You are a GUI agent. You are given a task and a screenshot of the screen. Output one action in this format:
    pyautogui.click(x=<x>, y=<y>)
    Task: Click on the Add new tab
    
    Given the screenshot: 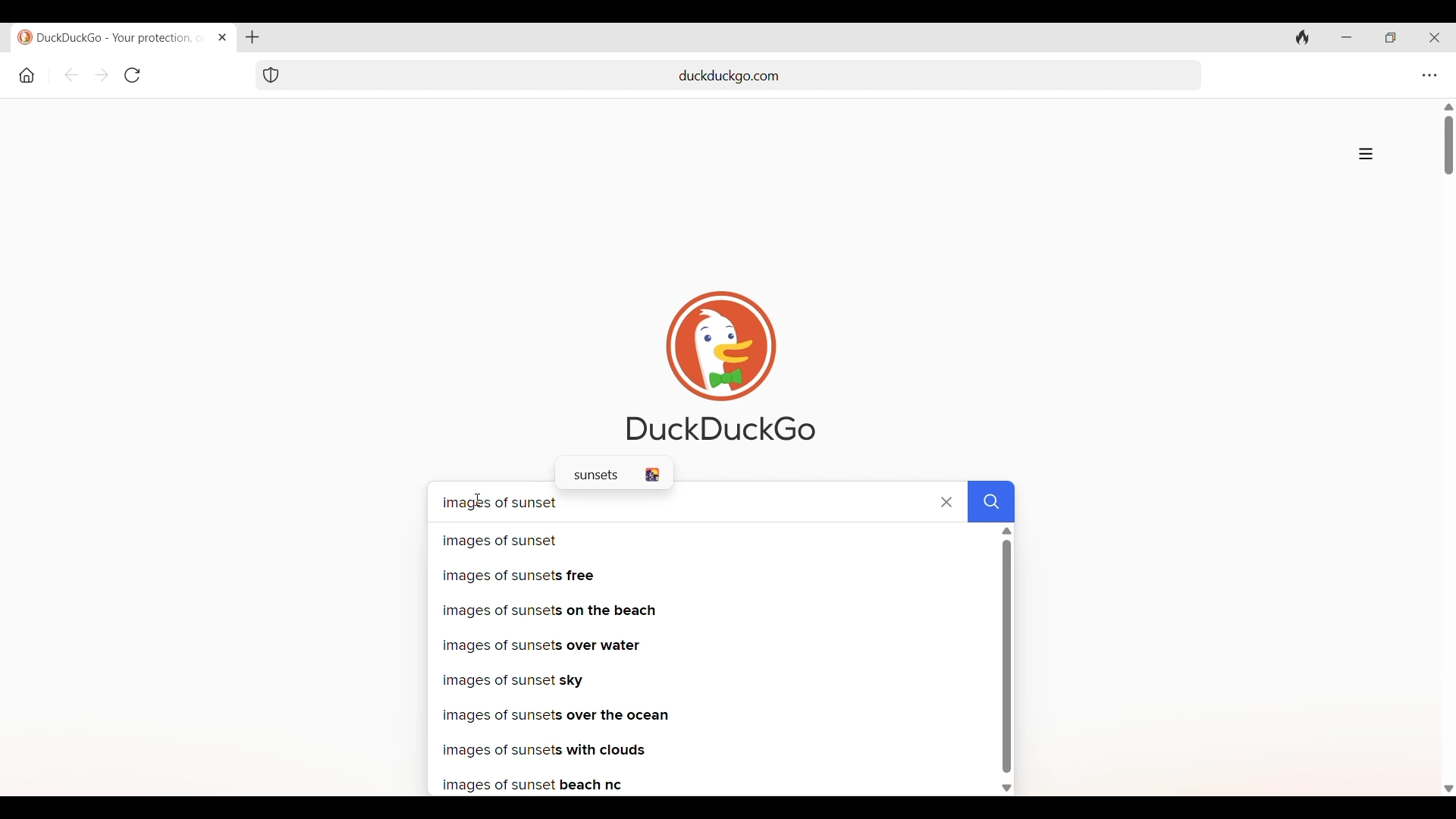 What is the action you would take?
    pyautogui.click(x=253, y=37)
    